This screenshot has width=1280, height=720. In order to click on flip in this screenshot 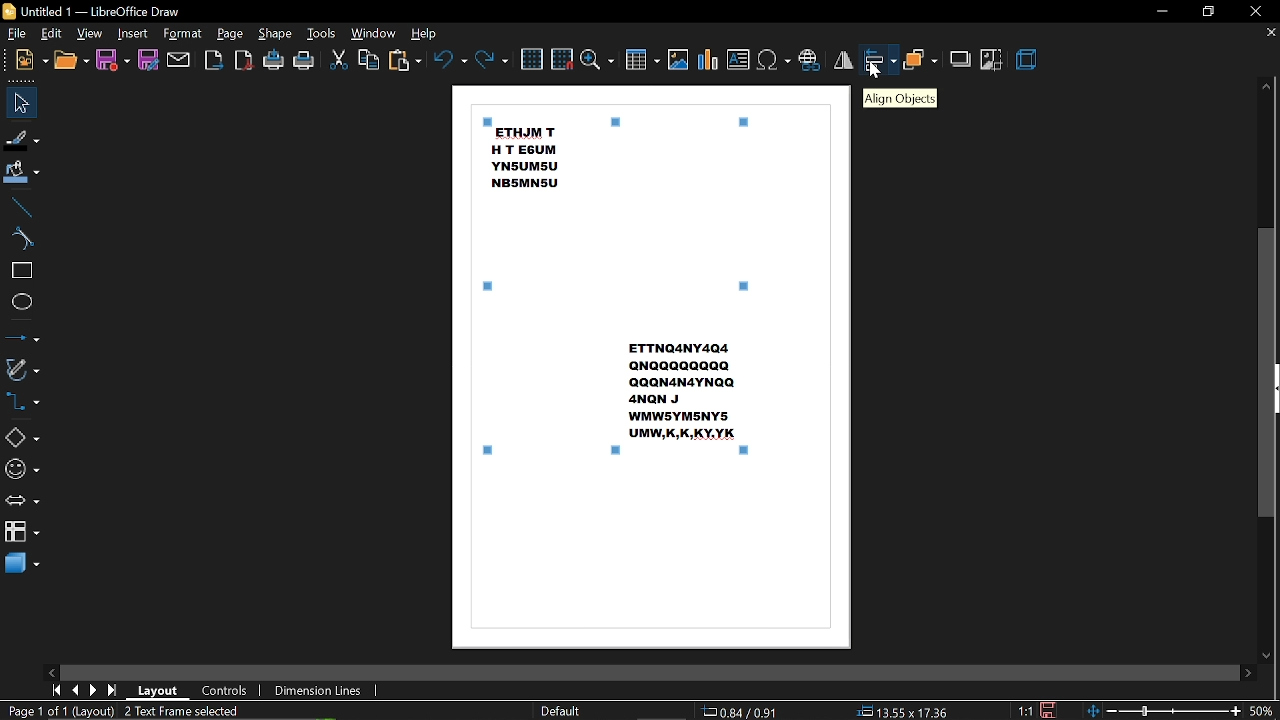, I will do `click(844, 59)`.